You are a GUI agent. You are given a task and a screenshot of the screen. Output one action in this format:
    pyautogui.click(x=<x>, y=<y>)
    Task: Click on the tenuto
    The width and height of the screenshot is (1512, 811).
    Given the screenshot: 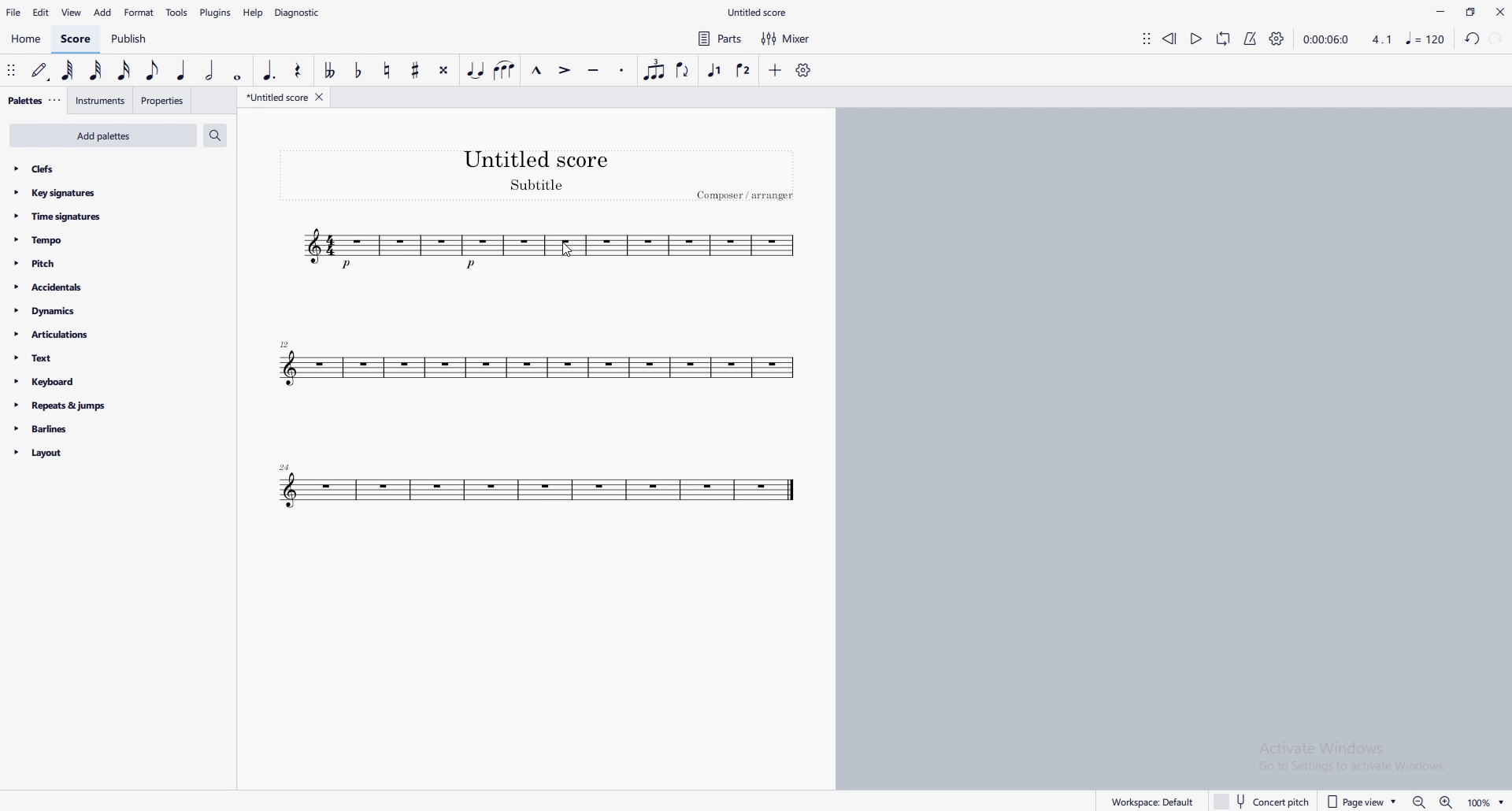 What is the action you would take?
    pyautogui.click(x=594, y=71)
    